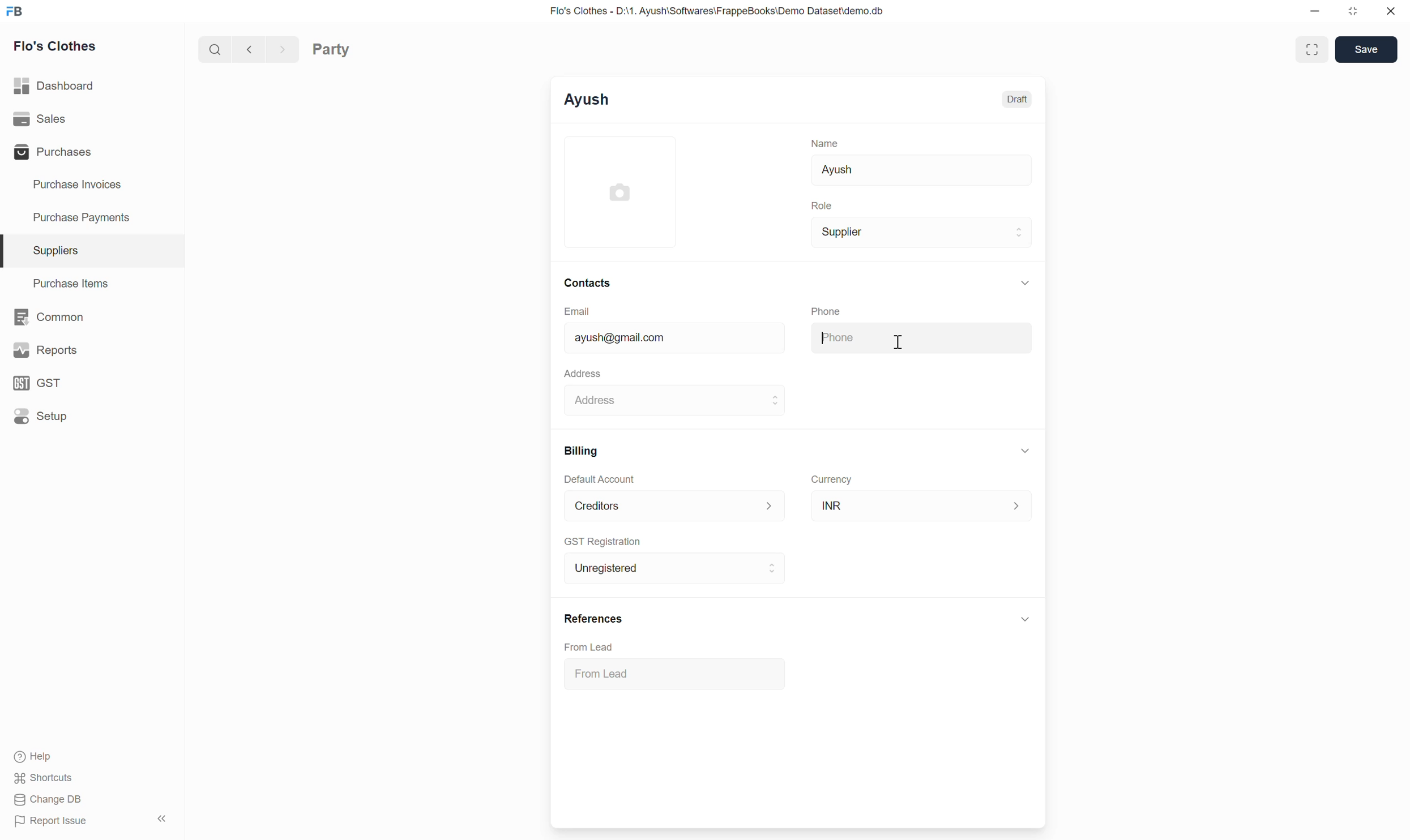  What do you see at coordinates (1315, 11) in the screenshot?
I see `Minimize` at bounding box center [1315, 11].